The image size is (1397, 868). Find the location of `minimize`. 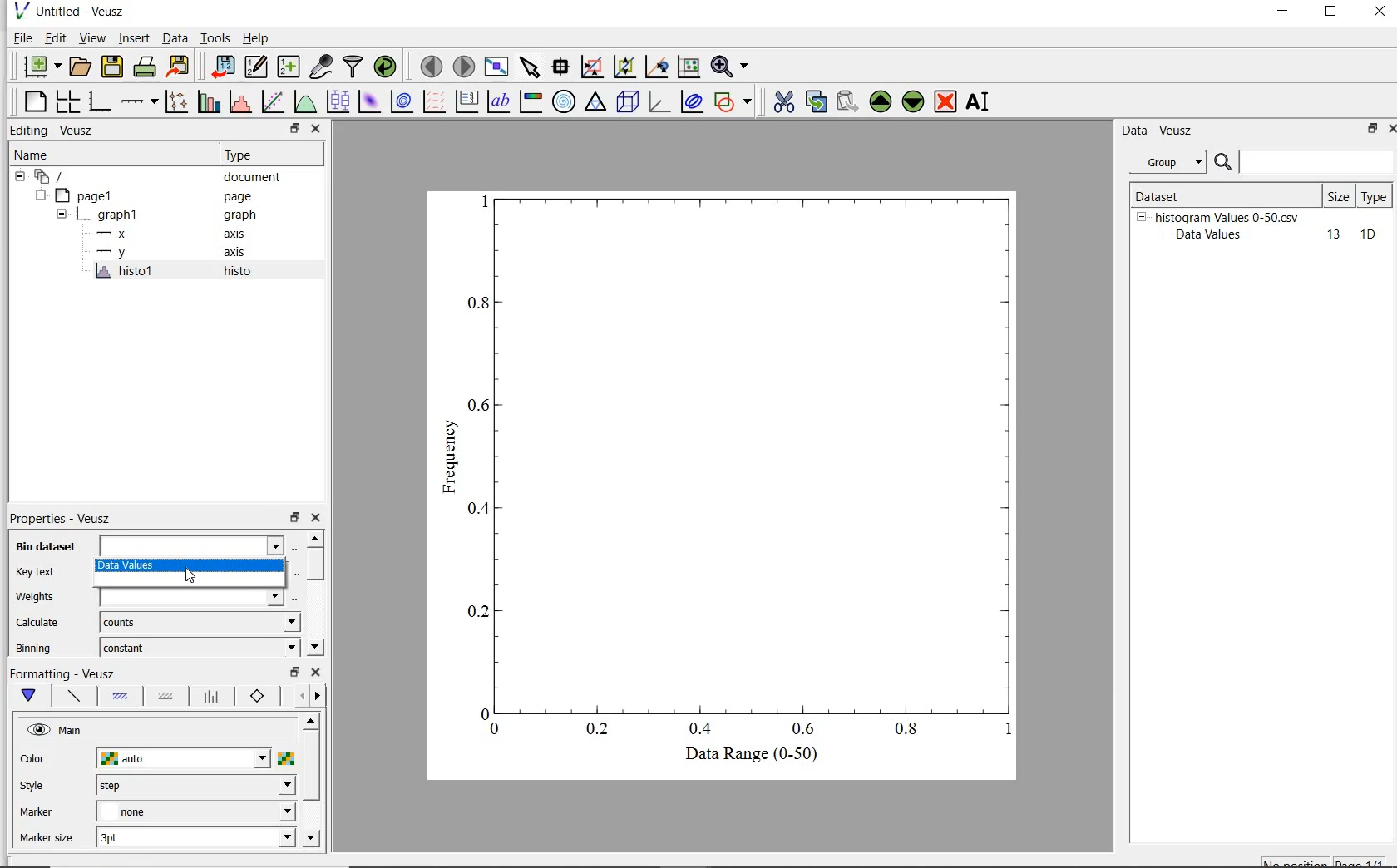

minimize is located at coordinates (1284, 13).